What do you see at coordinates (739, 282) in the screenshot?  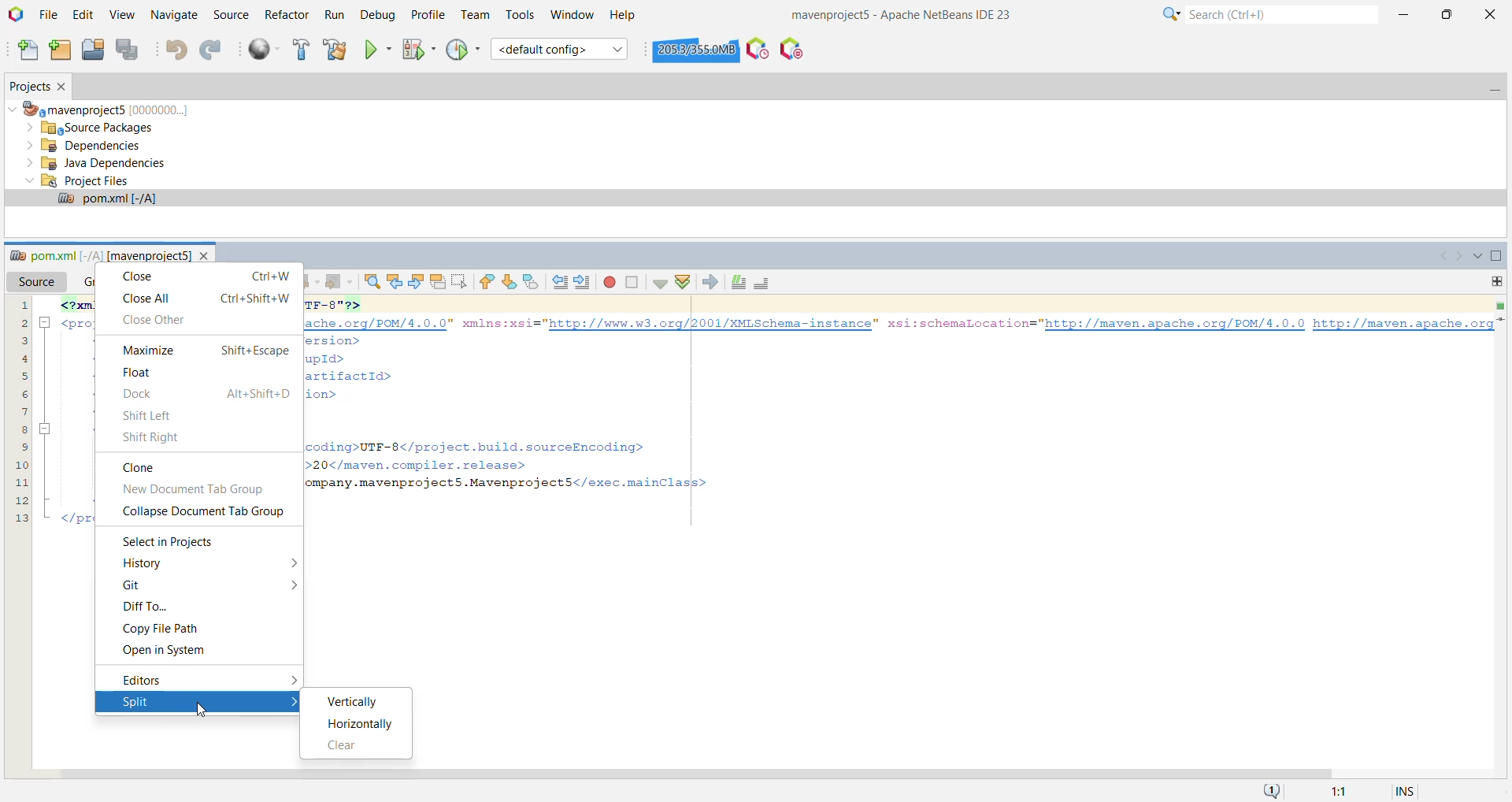 I see `Comment` at bounding box center [739, 282].